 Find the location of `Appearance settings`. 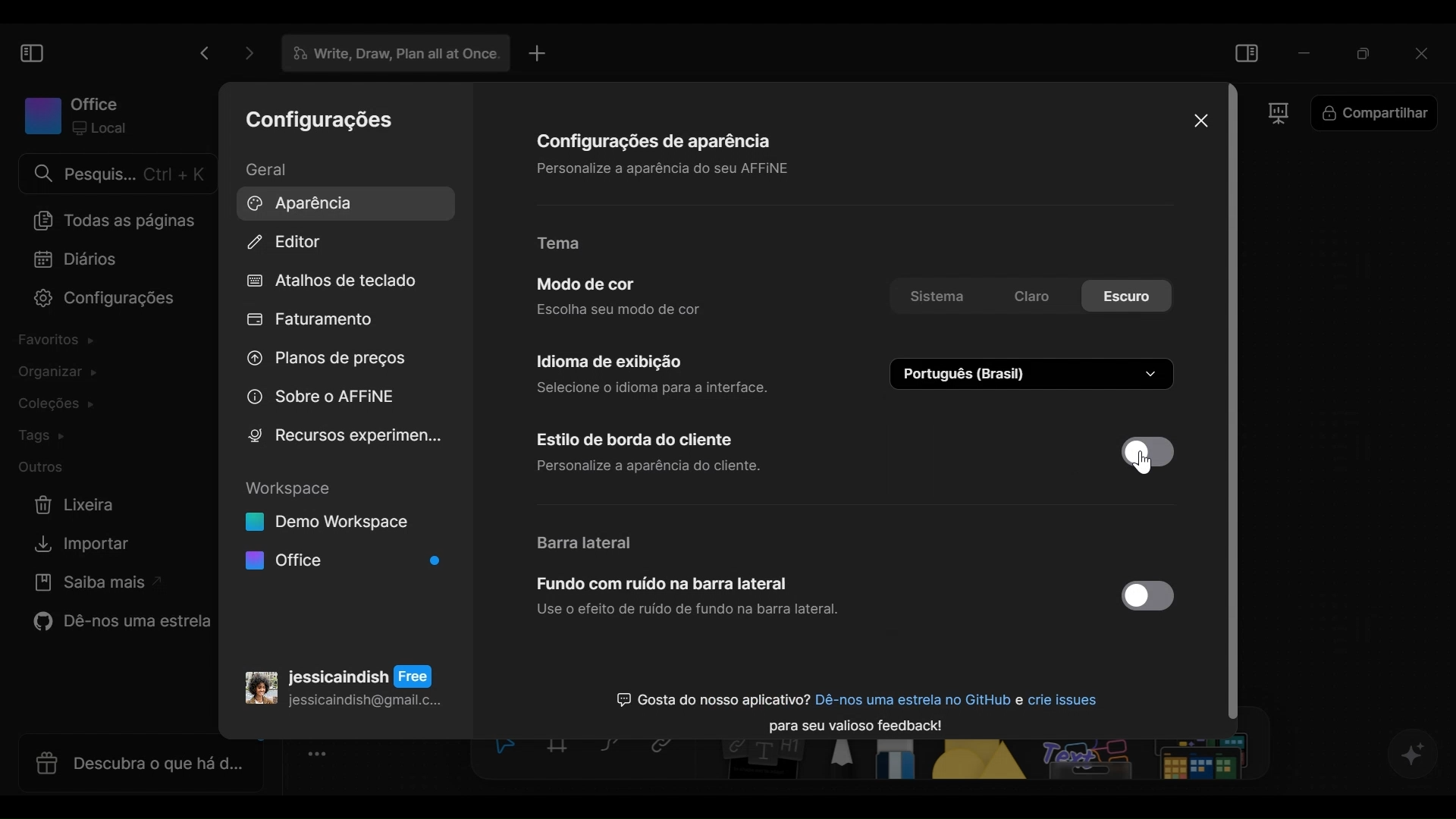

Appearance settings is located at coordinates (656, 152).